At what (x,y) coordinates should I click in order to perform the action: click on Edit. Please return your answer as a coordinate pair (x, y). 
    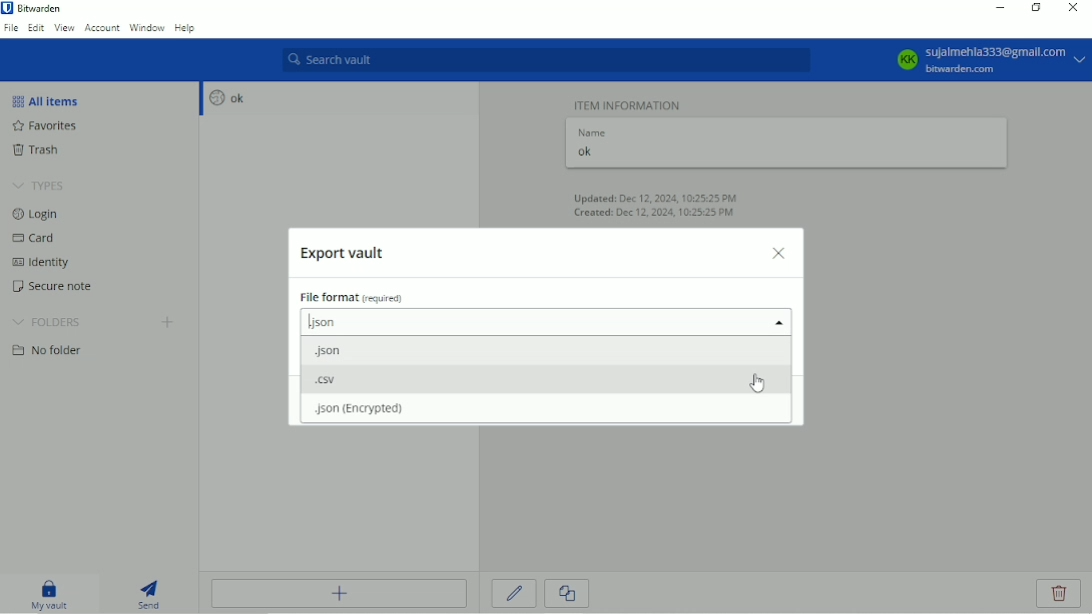
    Looking at the image, I should click on (515, 593).